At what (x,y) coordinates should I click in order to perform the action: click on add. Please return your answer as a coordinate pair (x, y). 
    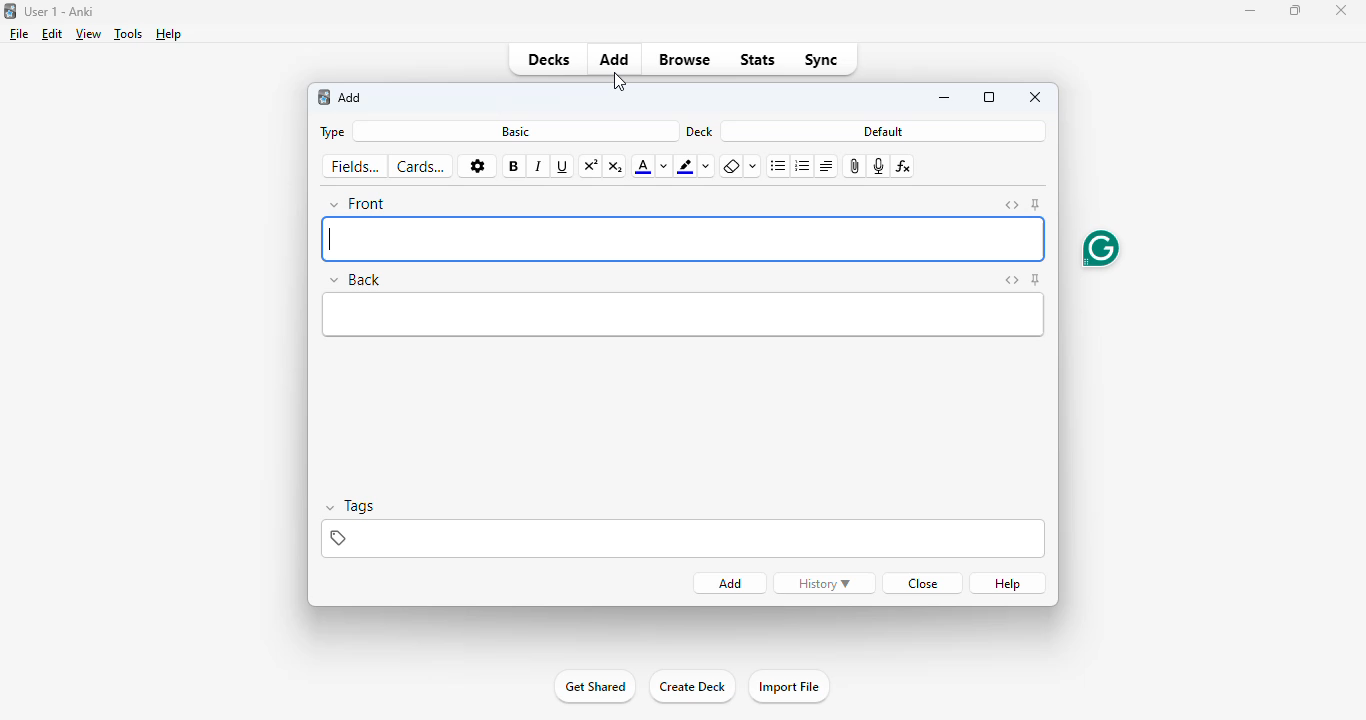
    Looking at the image, I should click on (351, 98).